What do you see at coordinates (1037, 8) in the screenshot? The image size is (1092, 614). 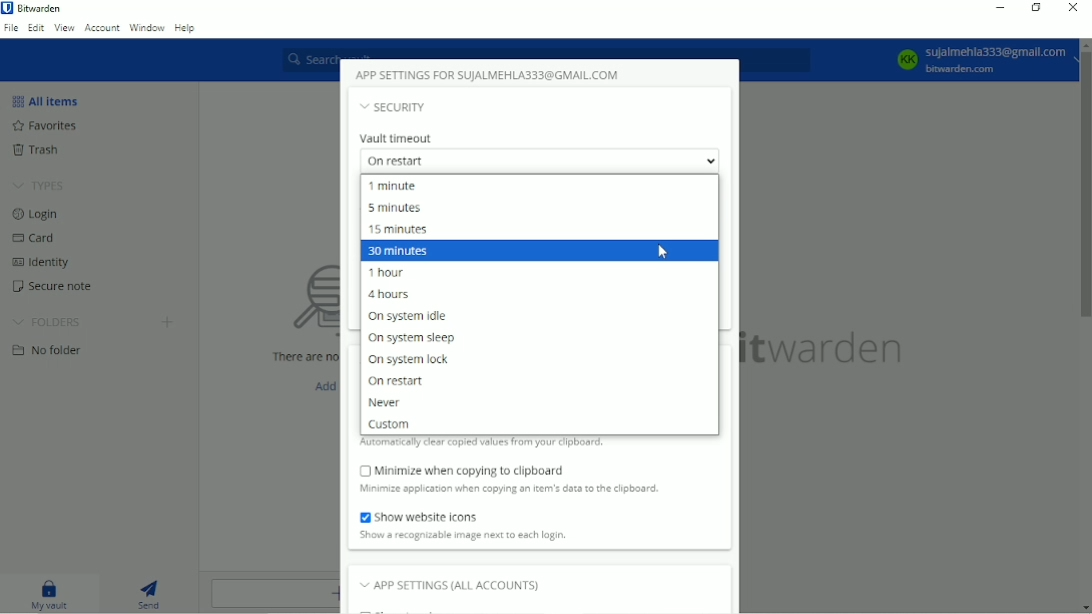 I see `Resize` at bounding box center [1037, 8].